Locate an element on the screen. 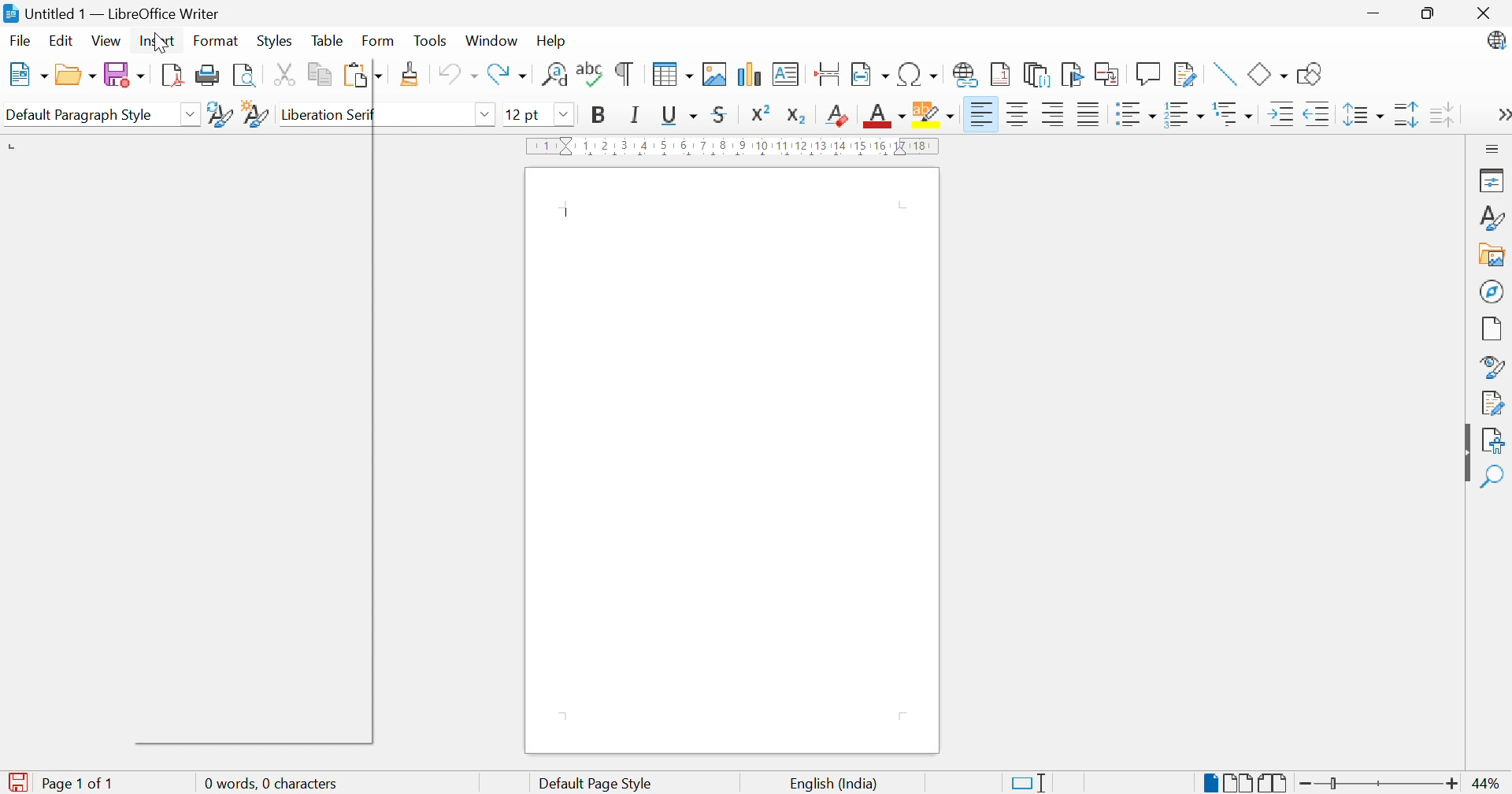 This screenshot has height=794, width=1512. Slider is located at coordinates (1336, 784).